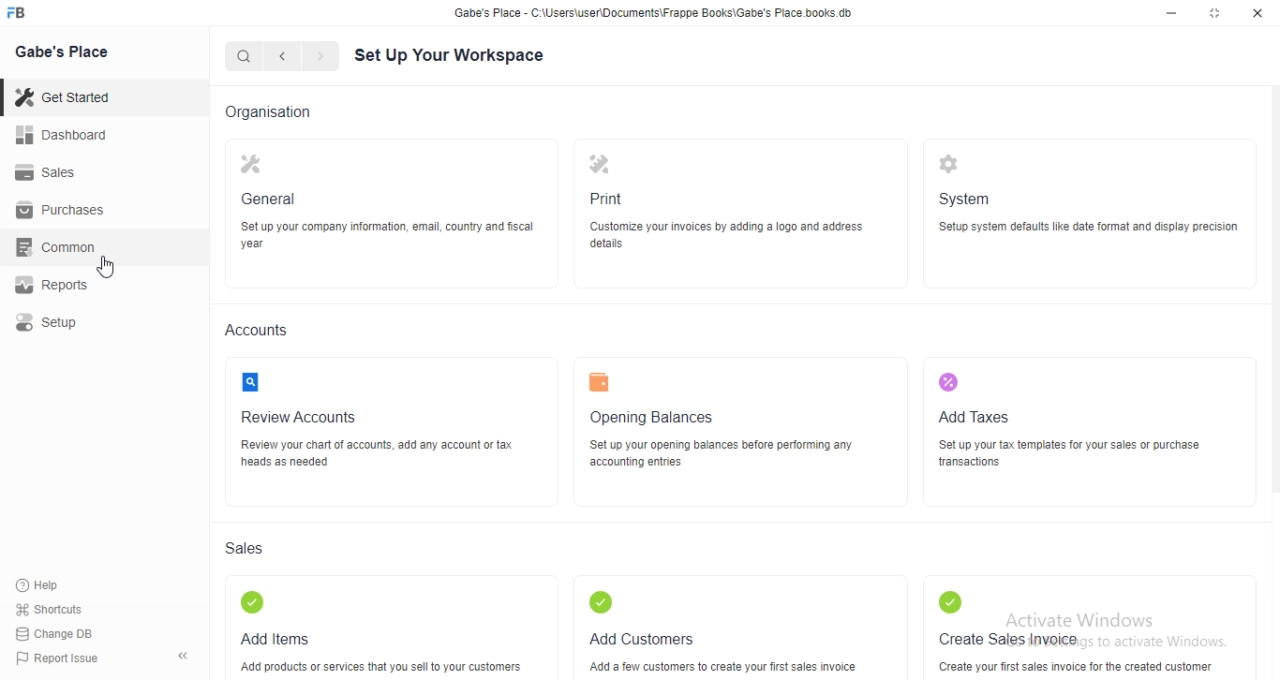  What do you see at coordinates (1258, 14) in the screenshot?
I see `close` at bounding box center [1258, 14].